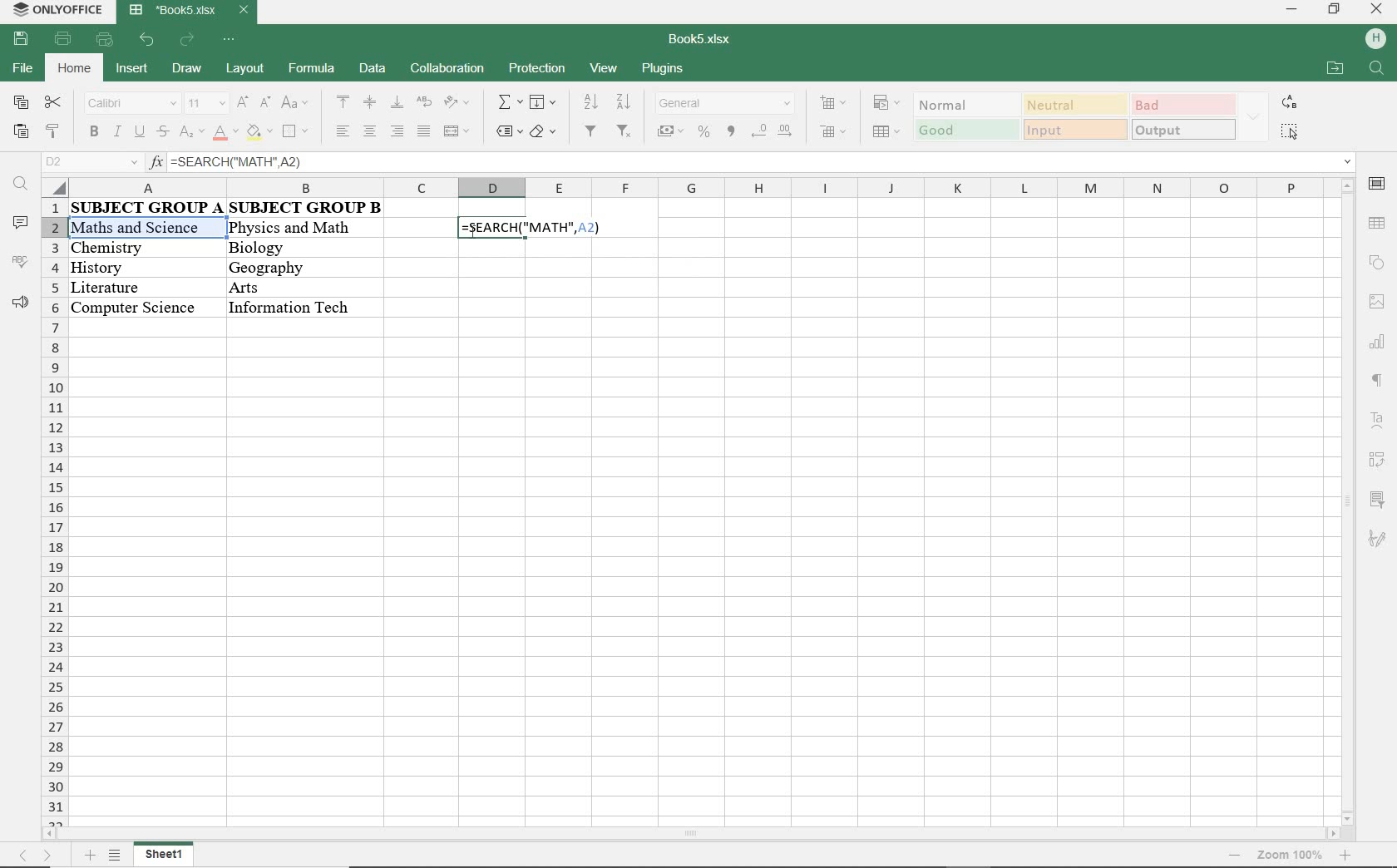 The height and width of the screenshot is (868, 1397). I want to click on sign, so click(1380, 345).